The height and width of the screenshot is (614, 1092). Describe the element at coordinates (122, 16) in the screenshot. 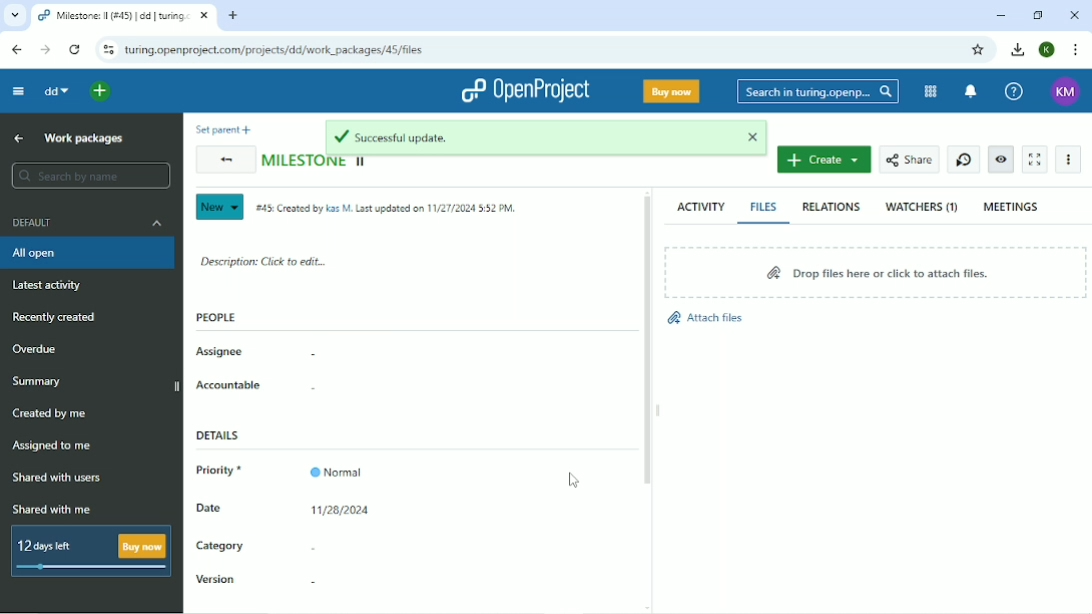

I see `Current tab` at that location.